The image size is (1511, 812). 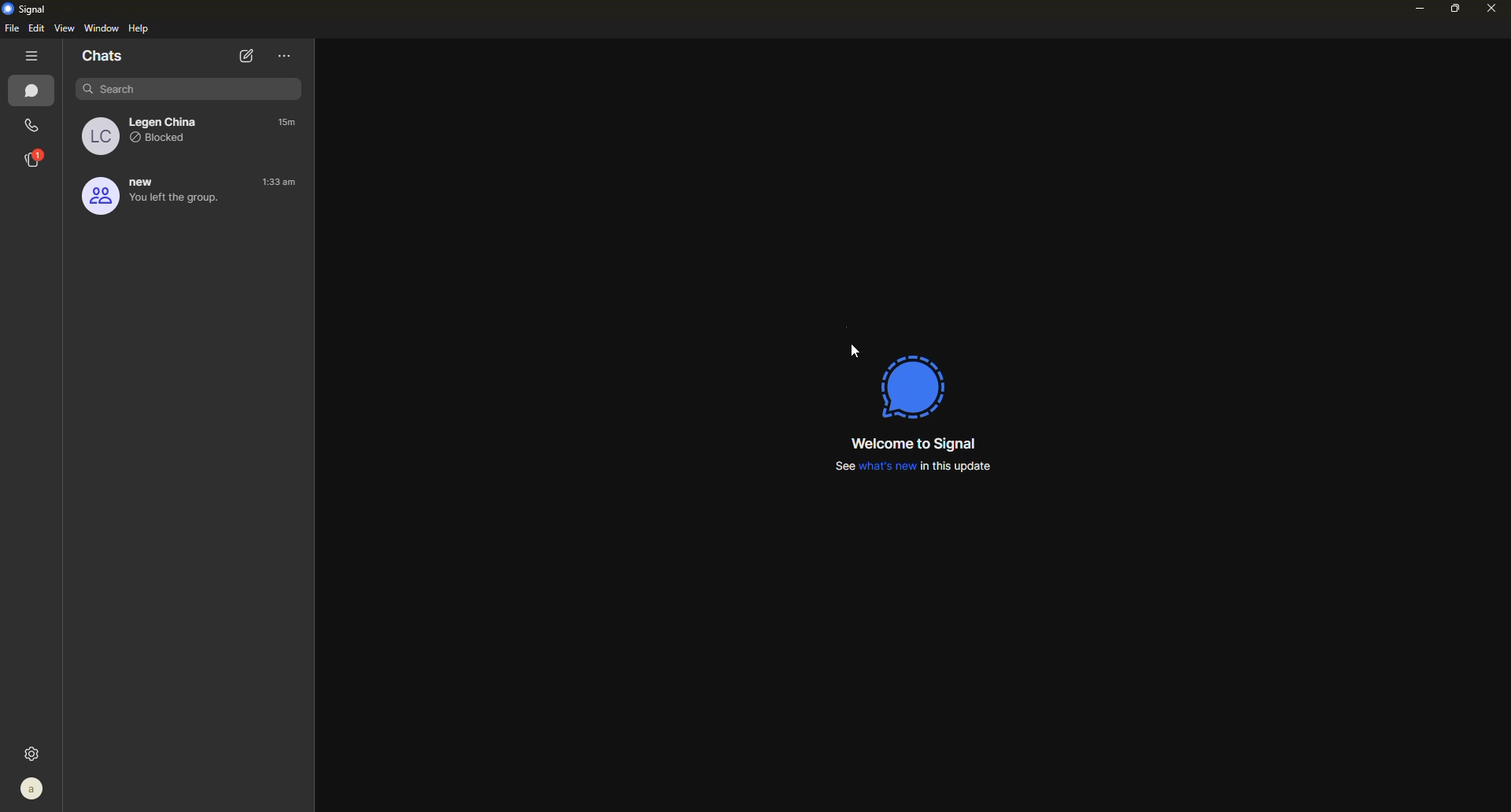 I want to click on new chat, so click(x=245, y=57).